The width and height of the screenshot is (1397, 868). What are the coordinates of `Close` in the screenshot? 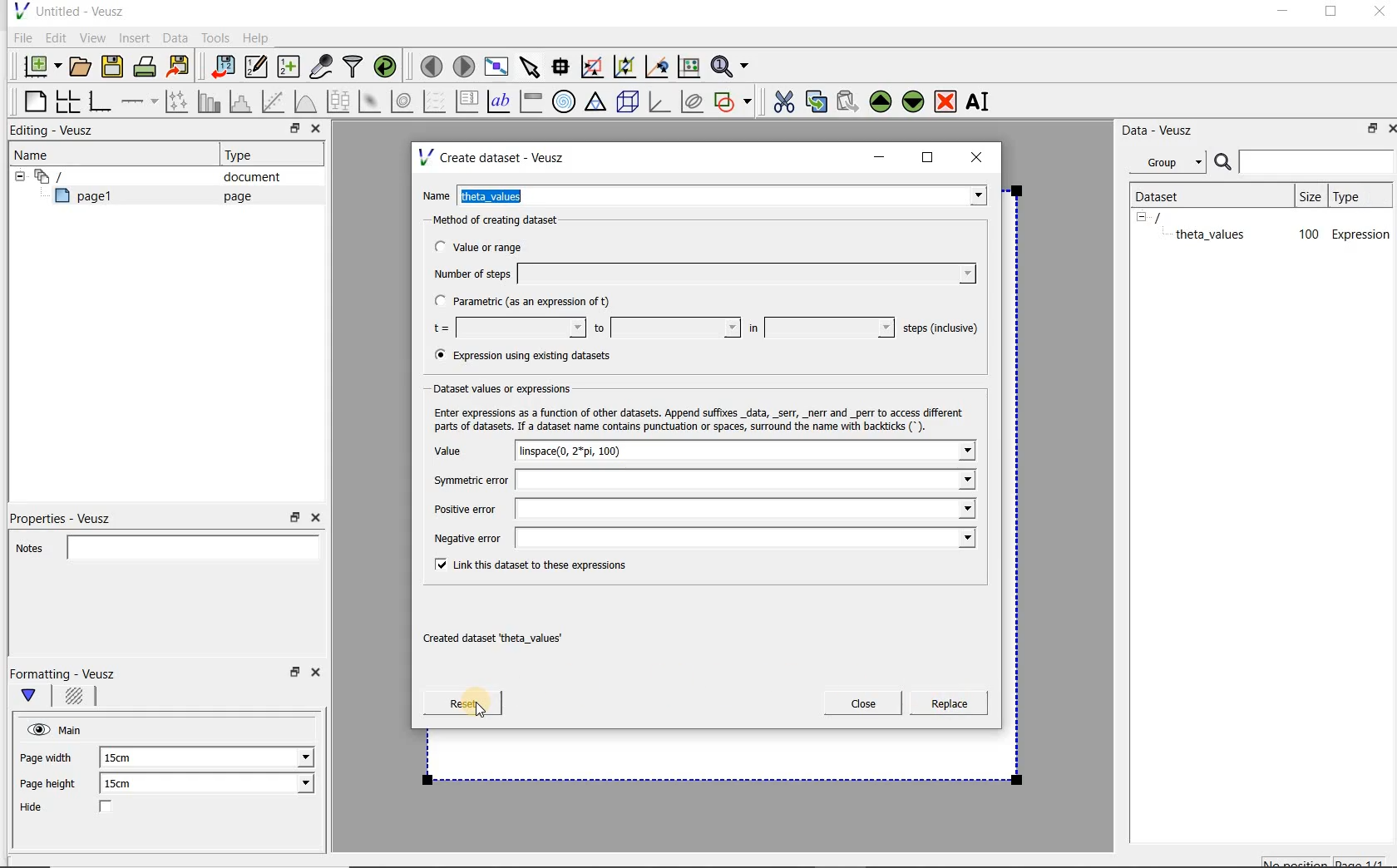 It's located at (314, 518).